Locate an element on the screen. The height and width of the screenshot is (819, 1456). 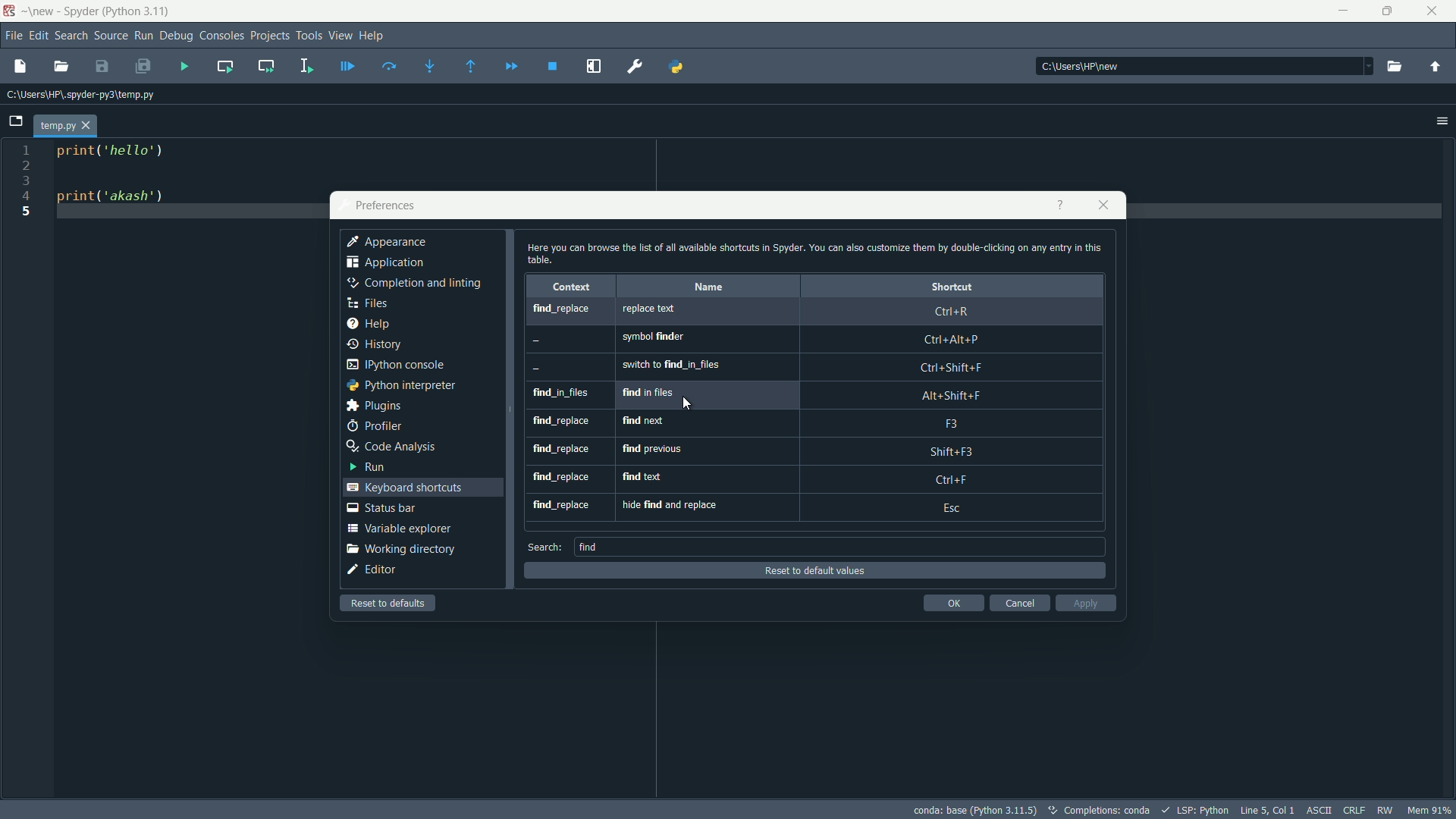
files is located at coordinates (378, 301).